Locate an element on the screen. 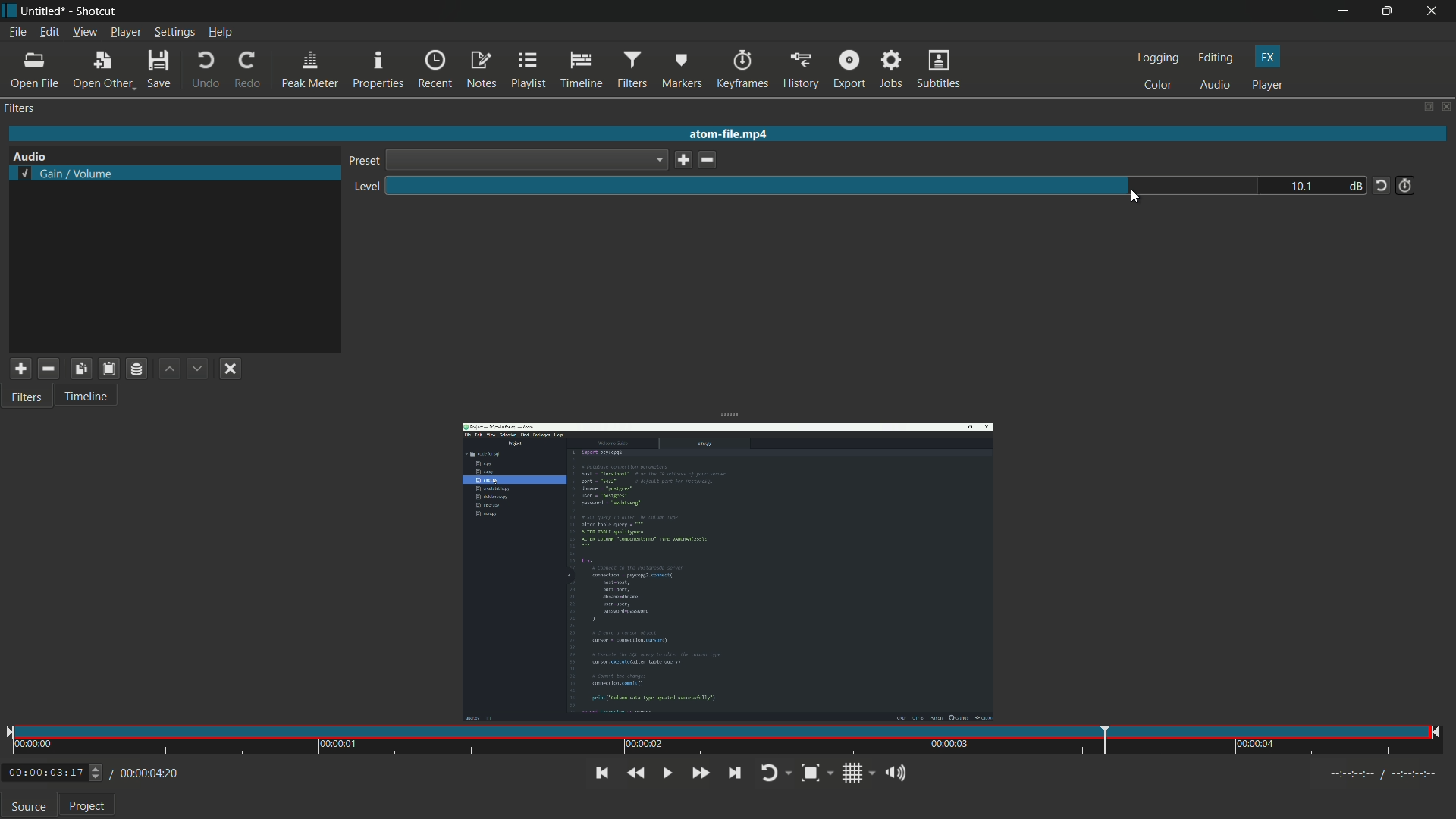 The image size is (1456, 819). quickly play forward is located at coordinates (702, 773).